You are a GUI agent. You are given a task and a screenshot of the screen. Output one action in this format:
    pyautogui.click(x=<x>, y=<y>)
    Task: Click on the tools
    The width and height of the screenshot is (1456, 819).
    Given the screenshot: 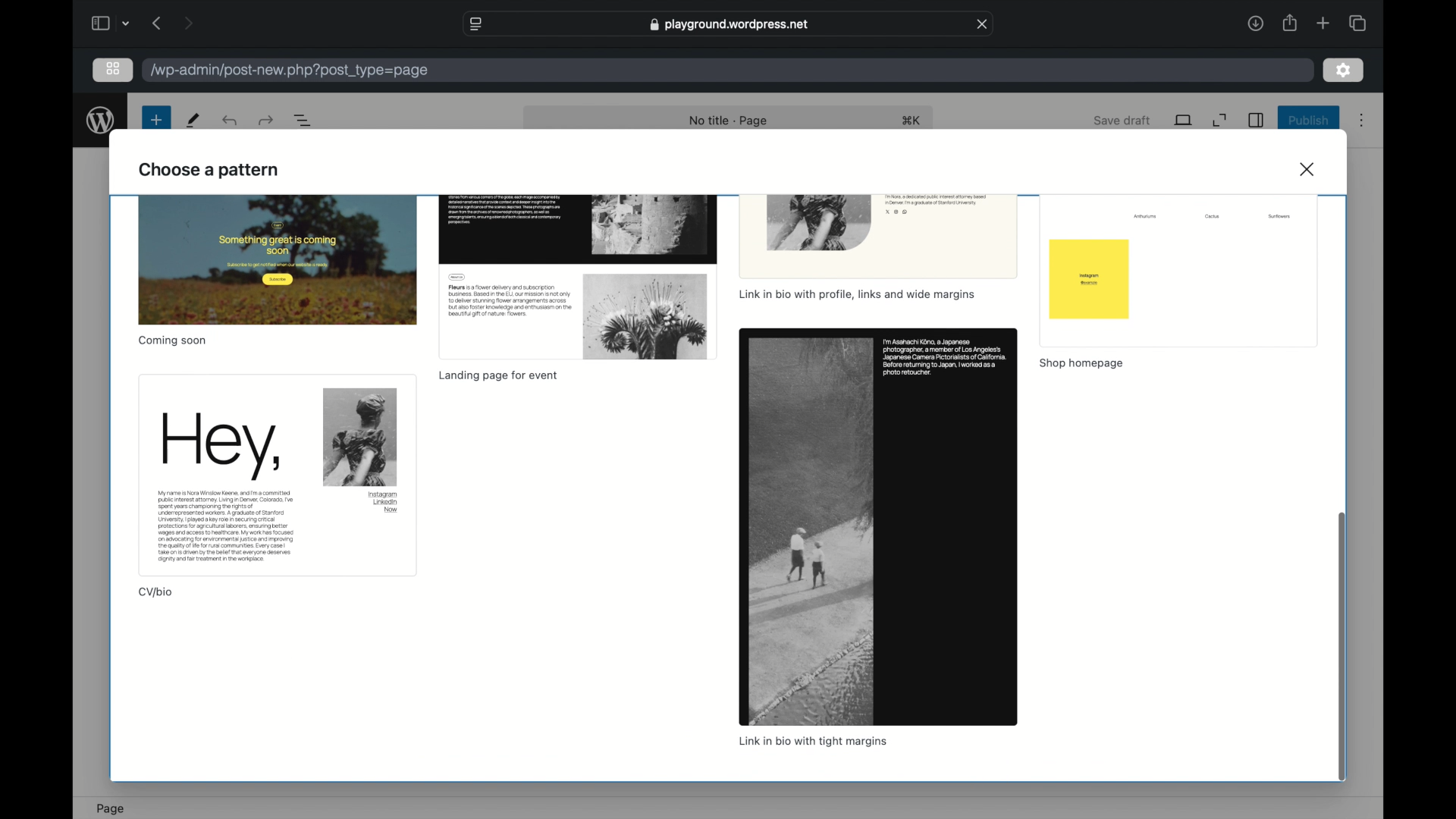 What is the action you would take?
    pyautogui.click(x=194, y=120)
    